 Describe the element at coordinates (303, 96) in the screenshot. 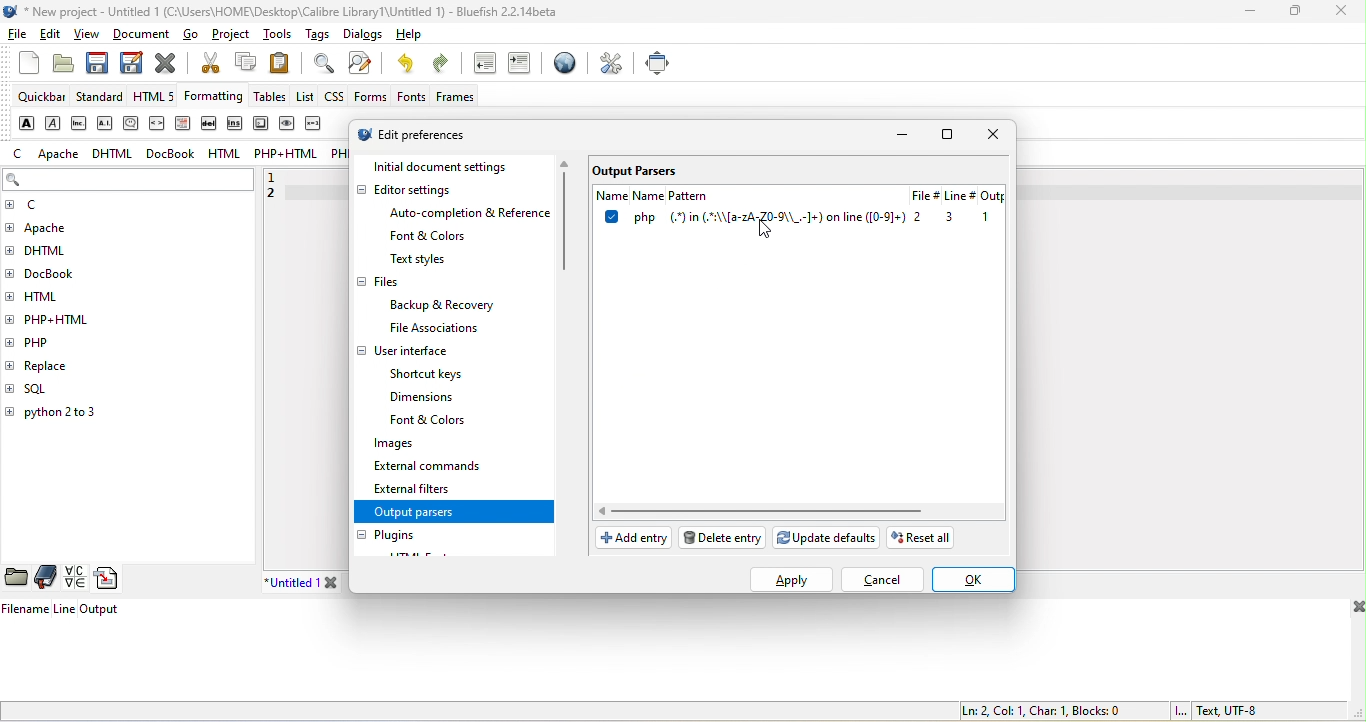

I see `list` at that location.